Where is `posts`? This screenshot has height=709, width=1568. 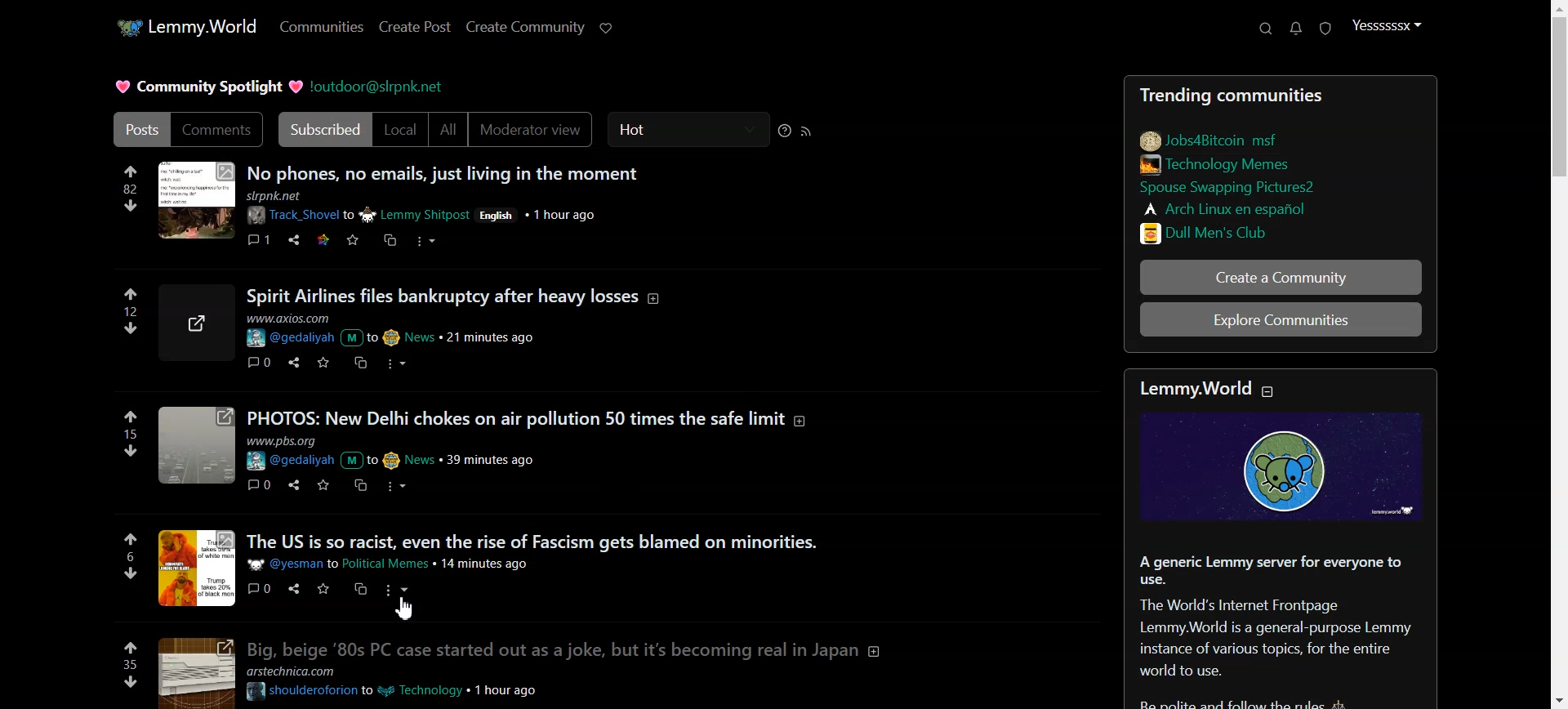
posts is located at coordinates (534, 417).